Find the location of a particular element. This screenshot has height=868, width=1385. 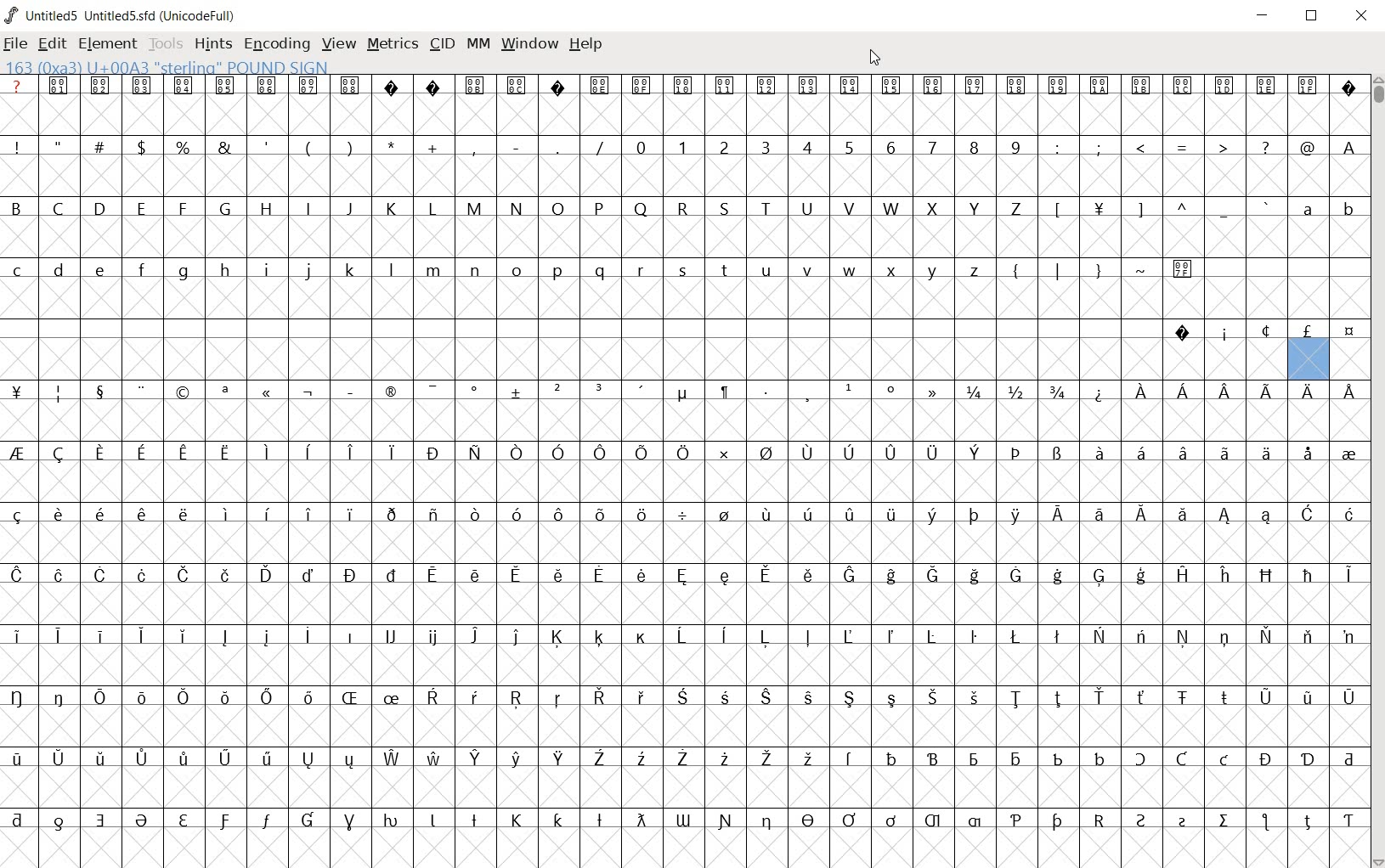

Symbol is located at coordinates (98, 391).